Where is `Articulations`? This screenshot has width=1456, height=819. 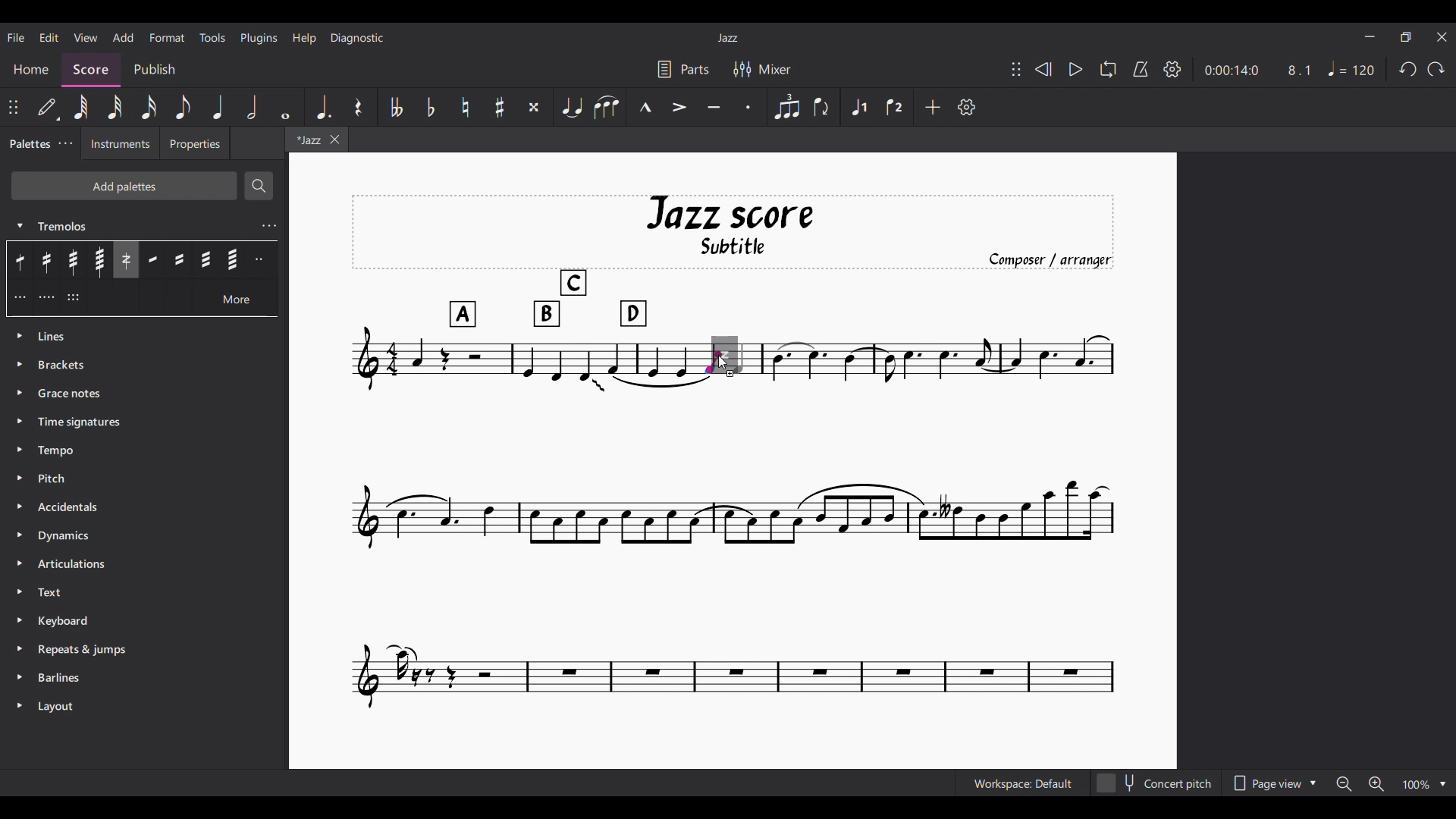 Articulations is located at coordinates (143, 564).